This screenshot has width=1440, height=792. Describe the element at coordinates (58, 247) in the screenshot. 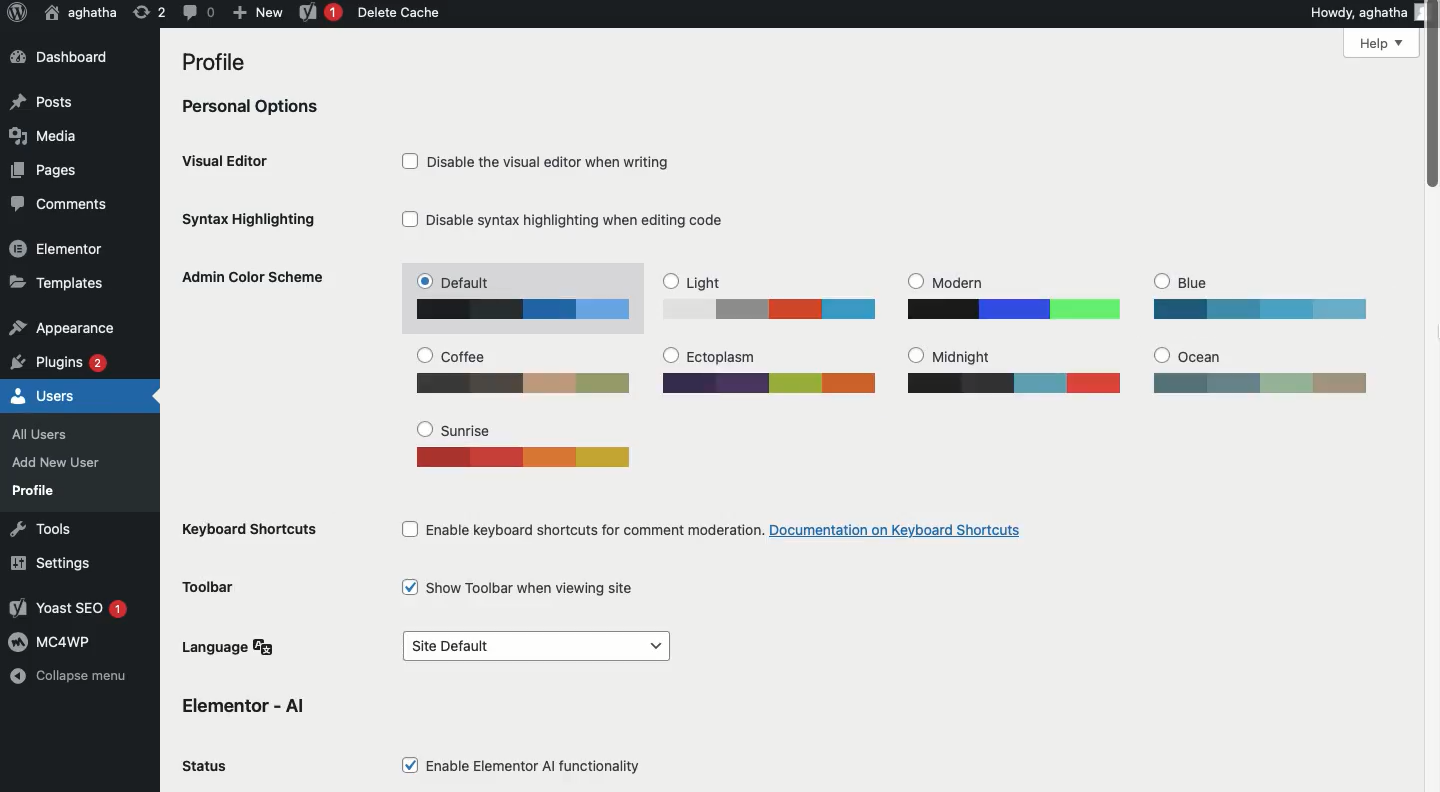

I see `Elementor` at that location.